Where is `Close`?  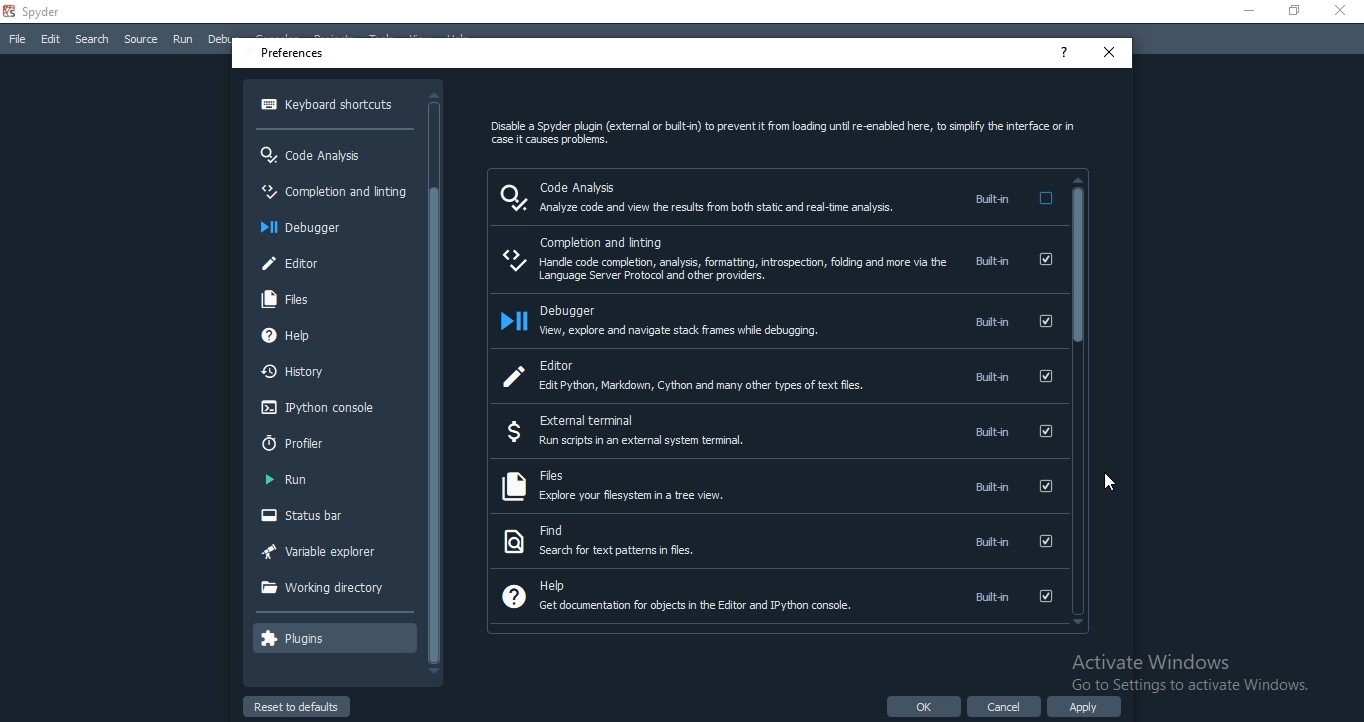
Close is located at coordinates (1344, 11).